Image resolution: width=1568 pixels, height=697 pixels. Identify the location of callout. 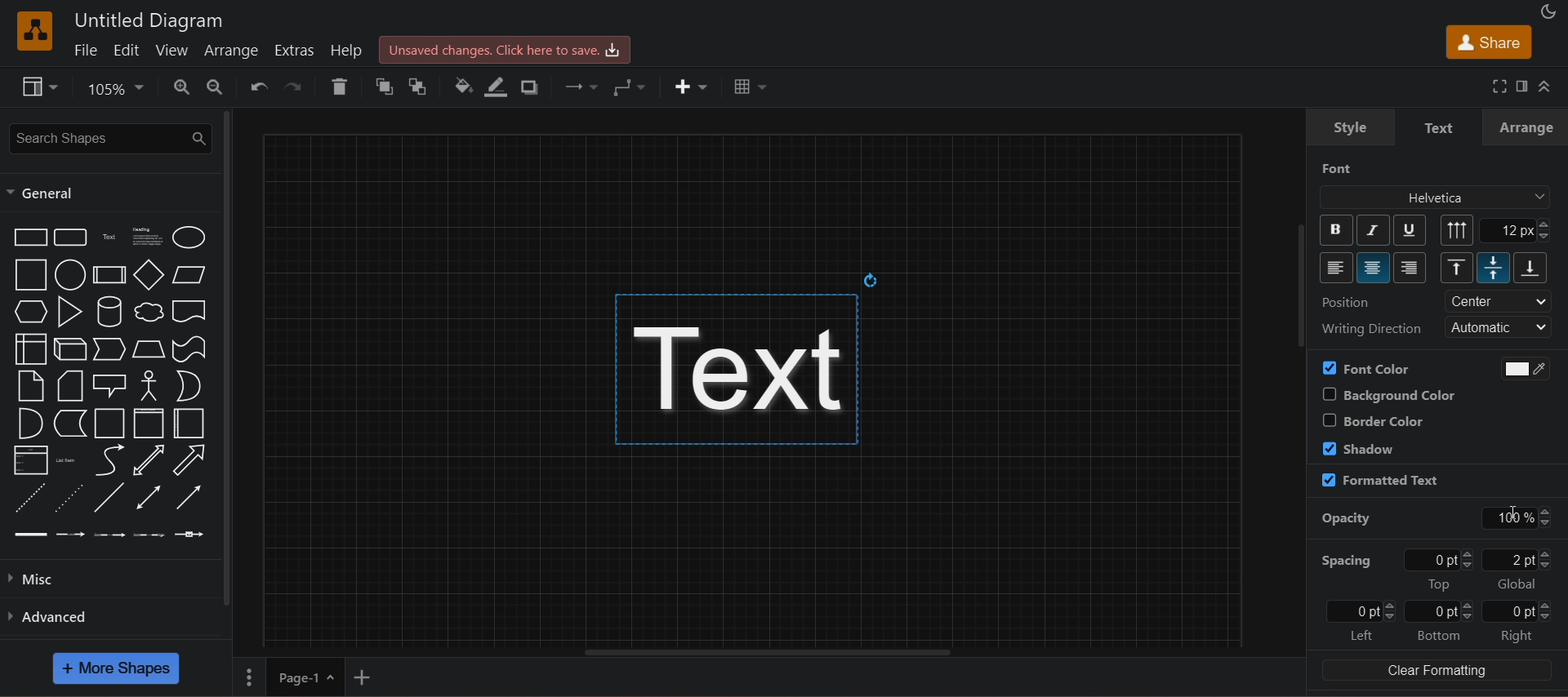
(110, 385).